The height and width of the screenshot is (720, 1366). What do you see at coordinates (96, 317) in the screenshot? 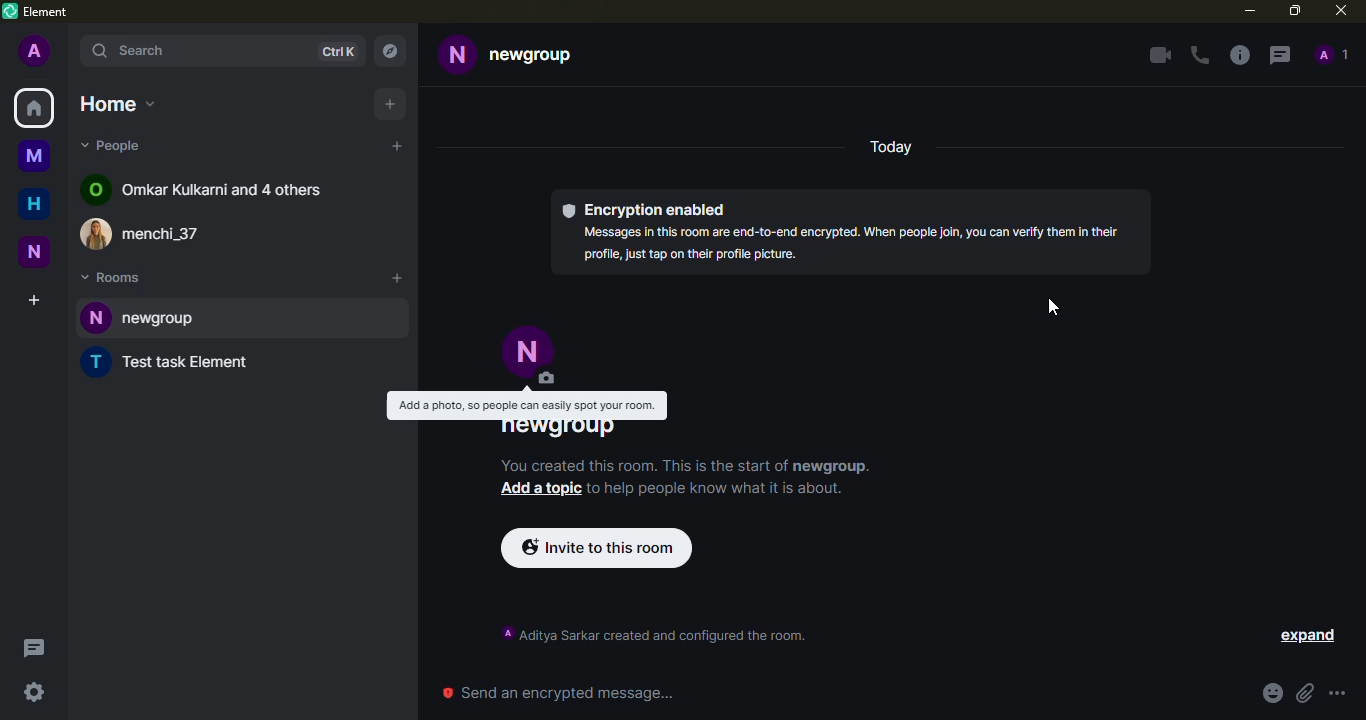
I see `Profile pic` at bounding box center [96, 317].